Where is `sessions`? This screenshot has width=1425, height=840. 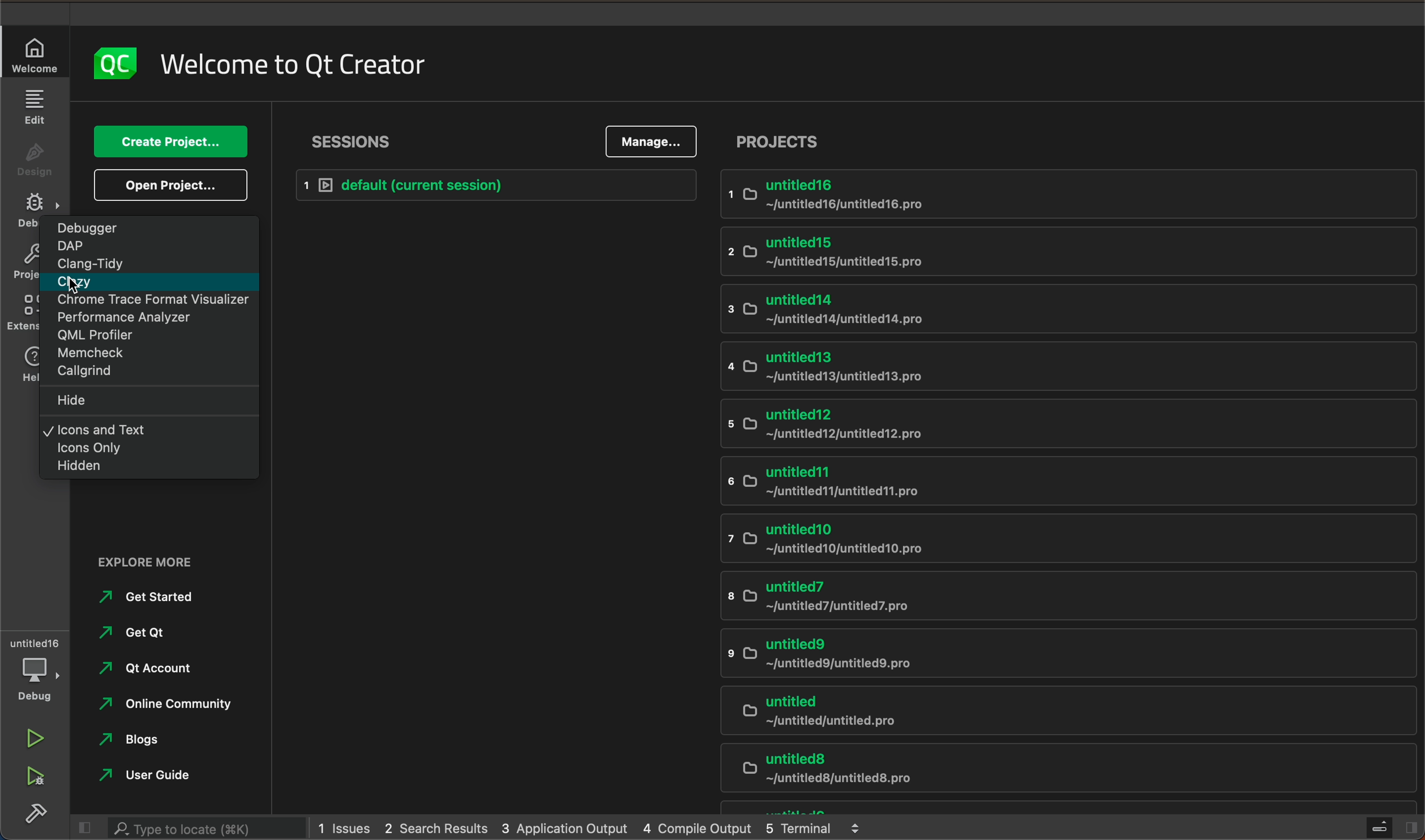 sessions is located at coordinates (353, 139).